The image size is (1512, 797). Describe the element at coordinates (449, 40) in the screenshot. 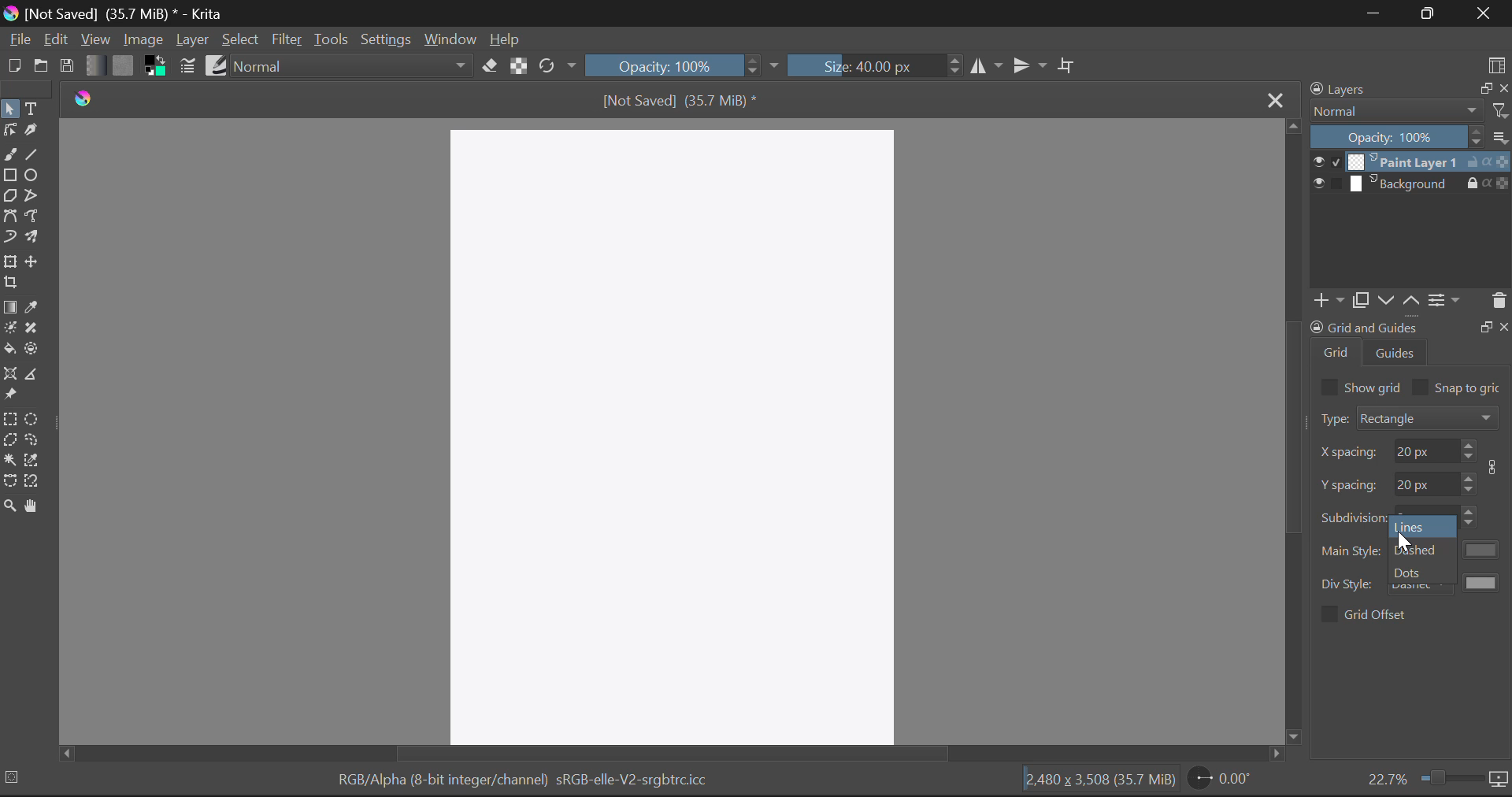

I see `Window` at that location.